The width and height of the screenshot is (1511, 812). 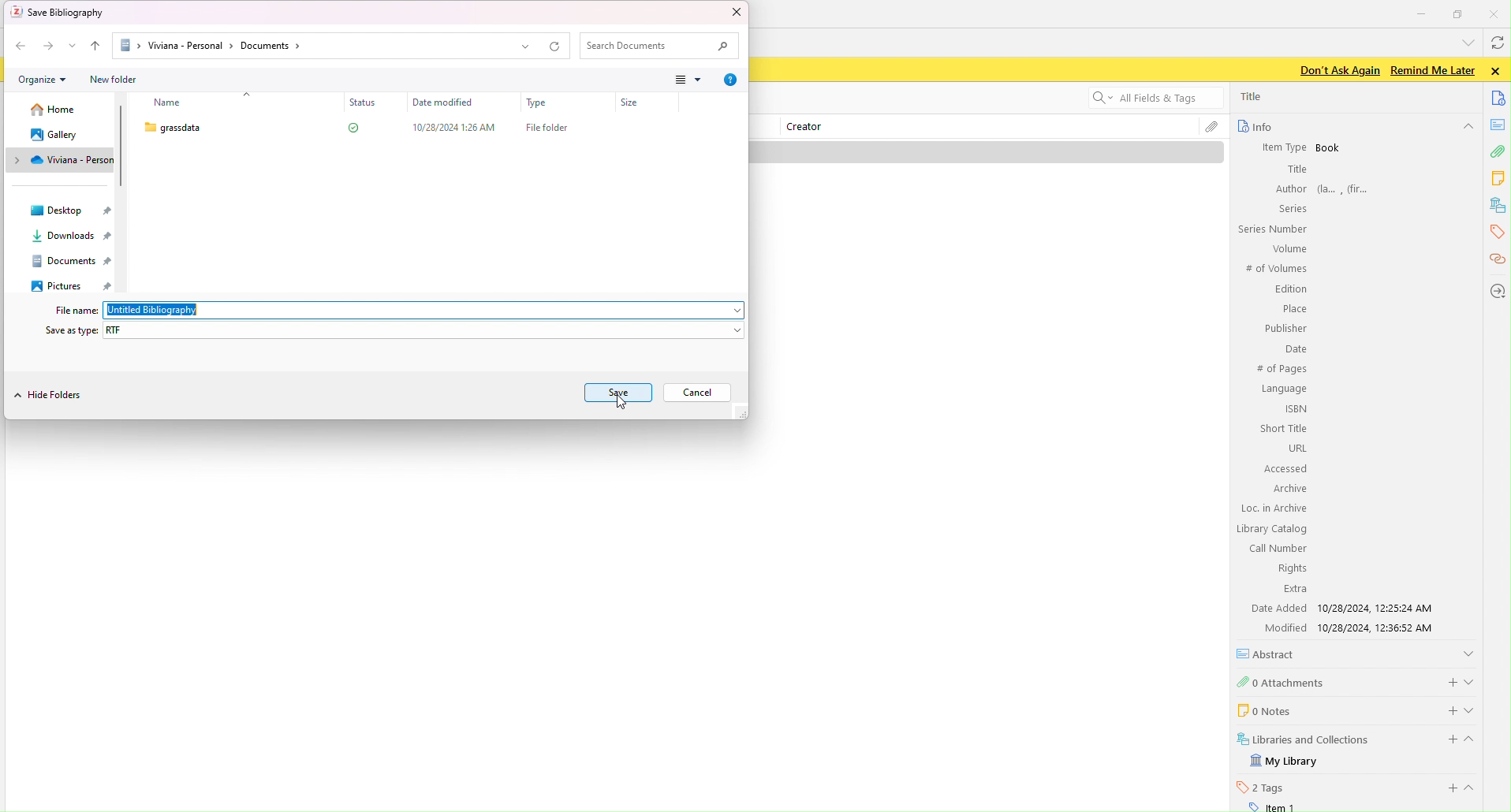 I want to click on Downloads, so click(x=73, y=237).